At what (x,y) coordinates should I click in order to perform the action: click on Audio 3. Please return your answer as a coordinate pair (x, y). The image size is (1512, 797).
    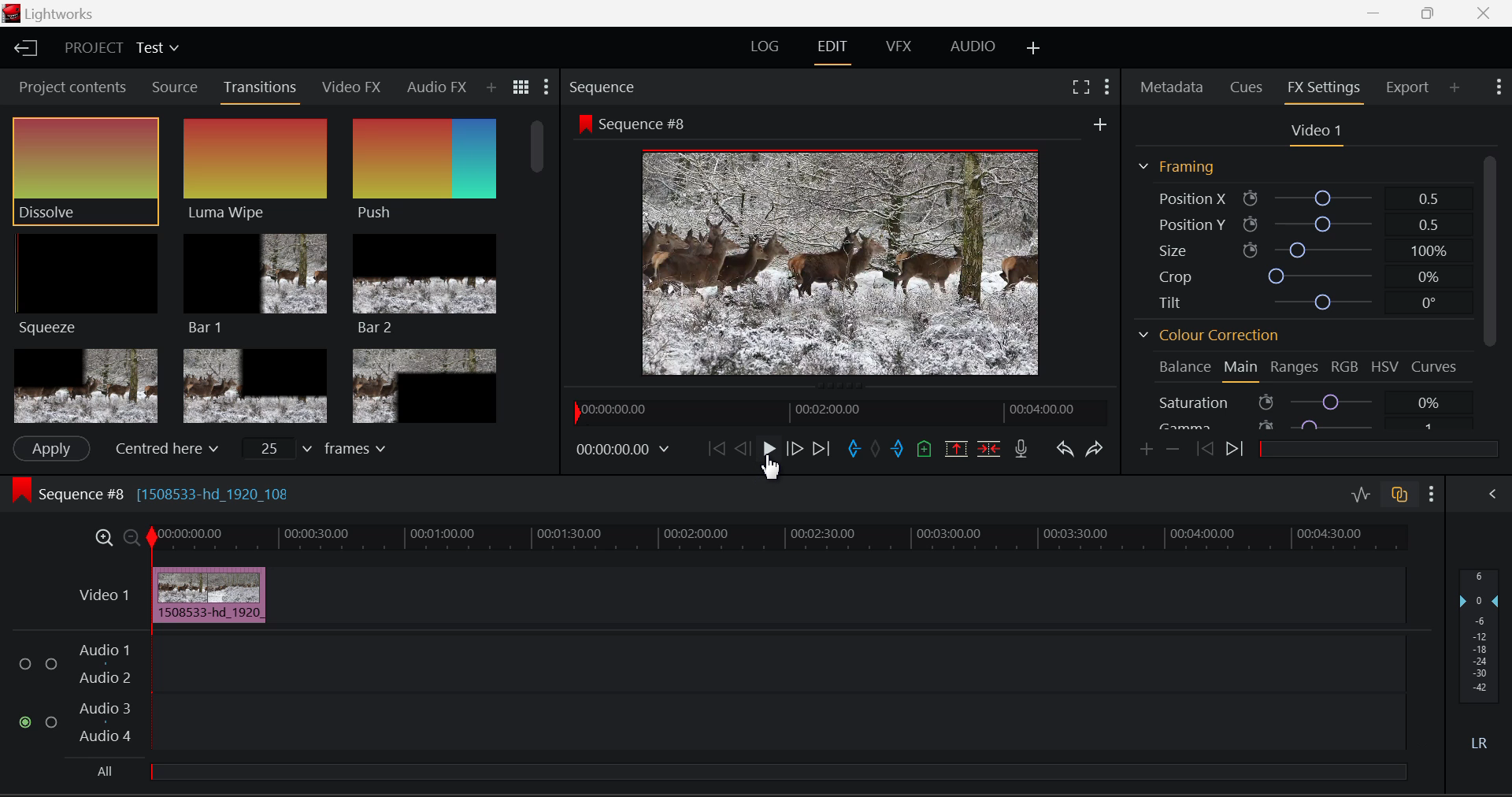
    Looking at the image, I should click on (105, 710).